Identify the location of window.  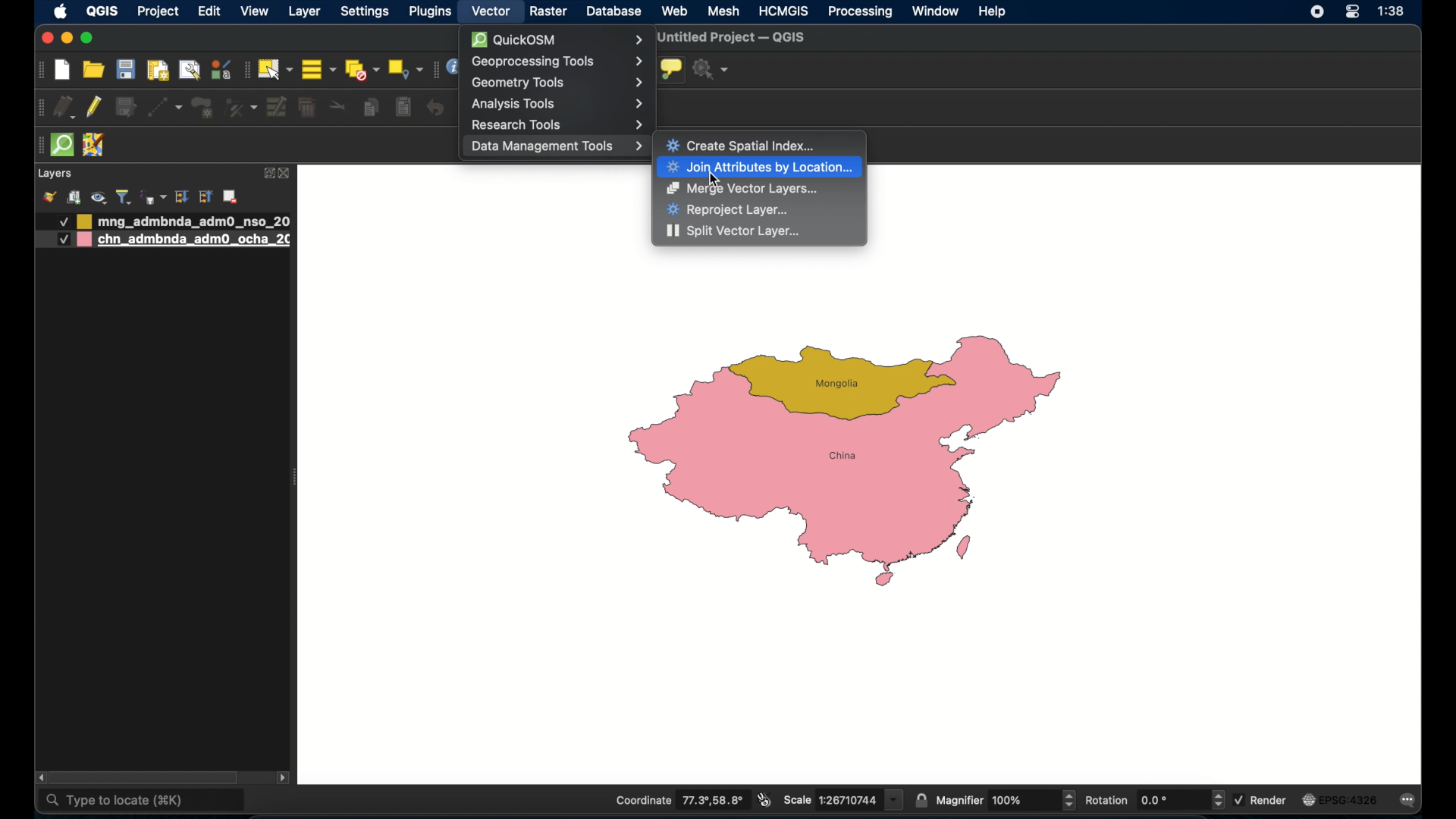
(934, 11).